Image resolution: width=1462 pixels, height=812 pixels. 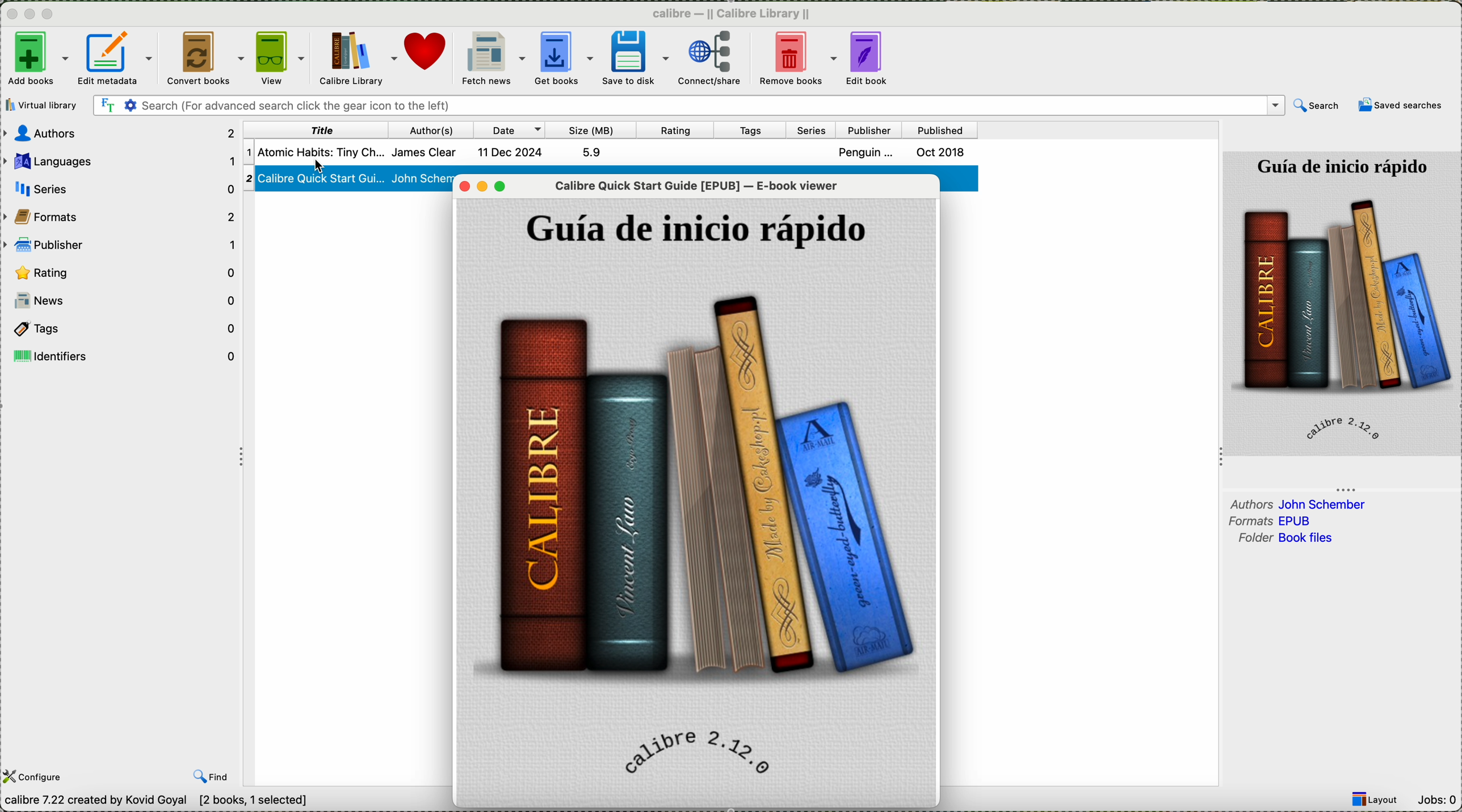 I want to click on Atomic habit James clear, so click(x=621, y=152).